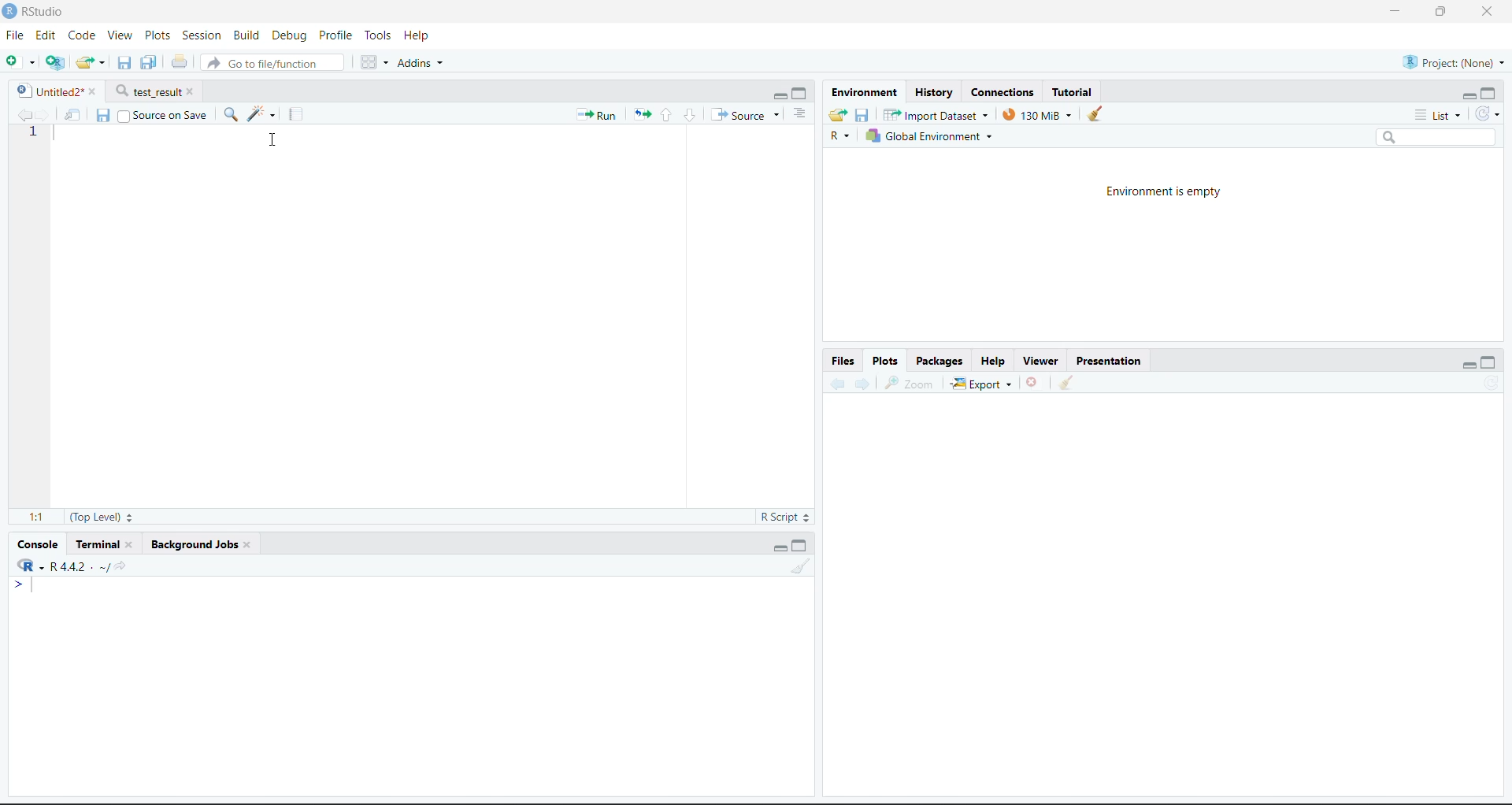 The height and width of the screenshot is (805, 1512). What do you see at coordinates (103, 517) in the screenshot?
I see `(Top Level):` at bounding box center [103, 517].